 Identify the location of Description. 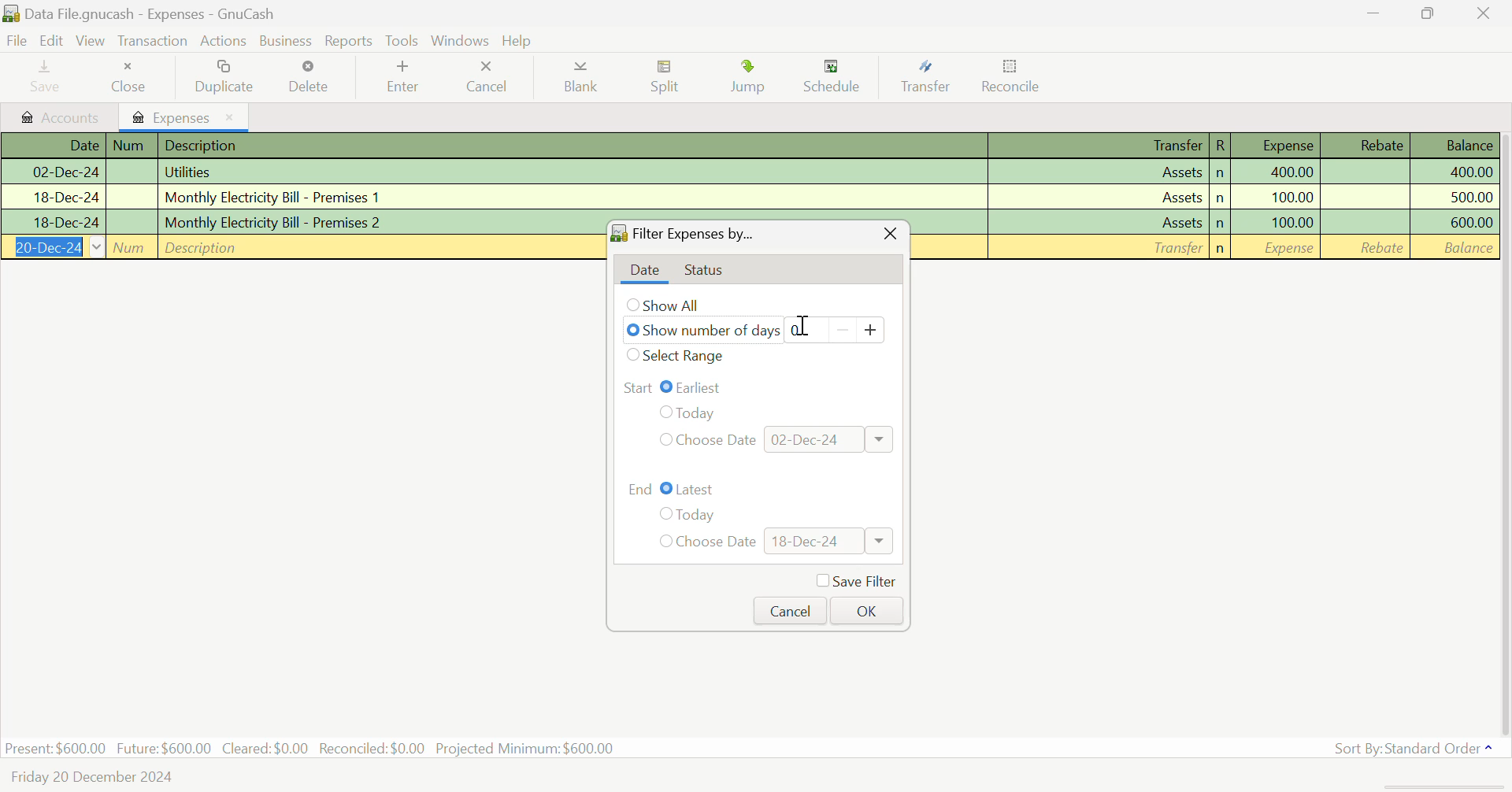
(381, 248).